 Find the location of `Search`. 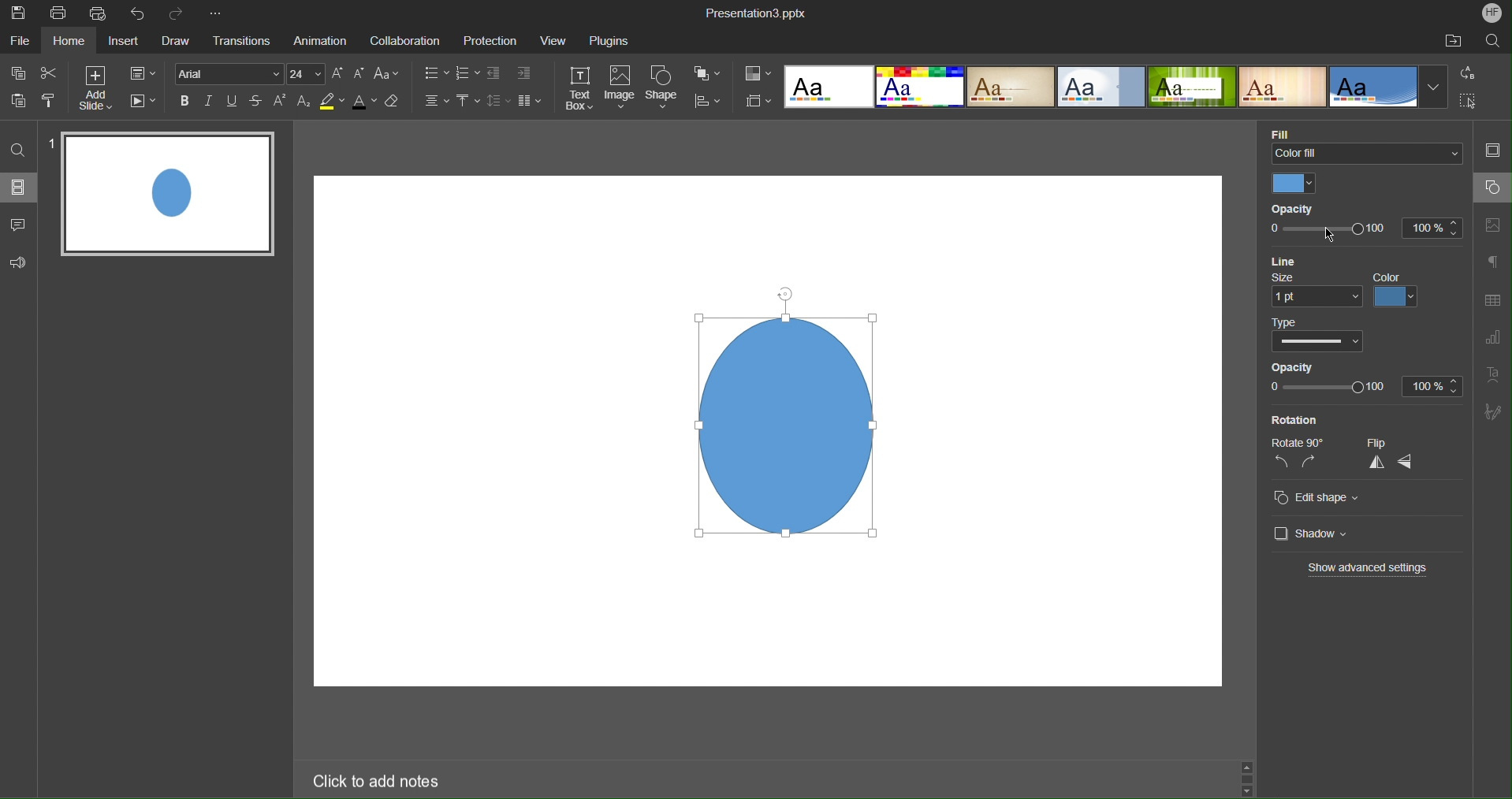

Search is located at coordinates (1493, 43).